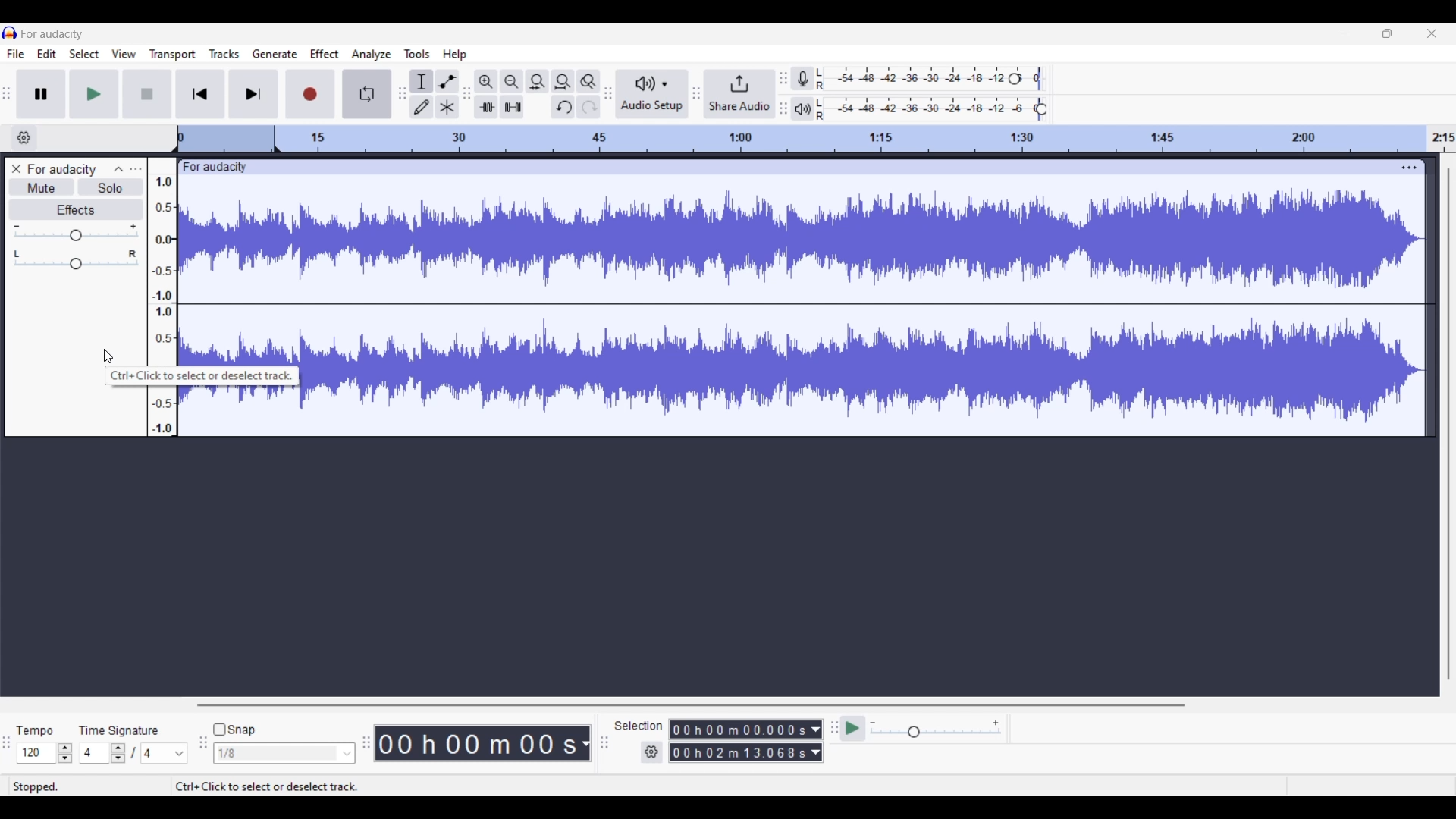 This screenshot has height=819, width=1456. I want to click on Help menu, so click(454, 55).